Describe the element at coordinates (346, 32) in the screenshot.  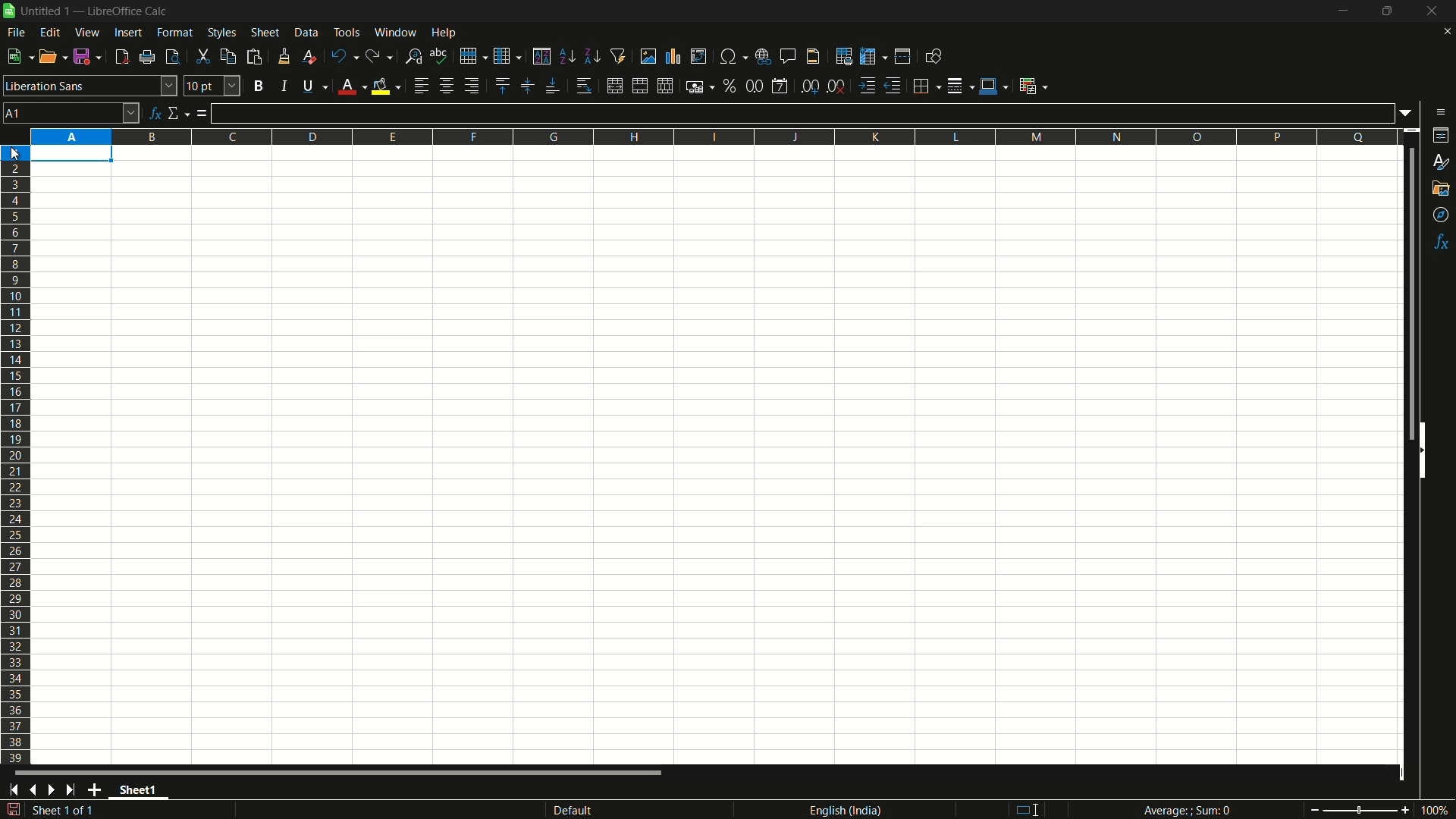
I see `tools menu` at that location.